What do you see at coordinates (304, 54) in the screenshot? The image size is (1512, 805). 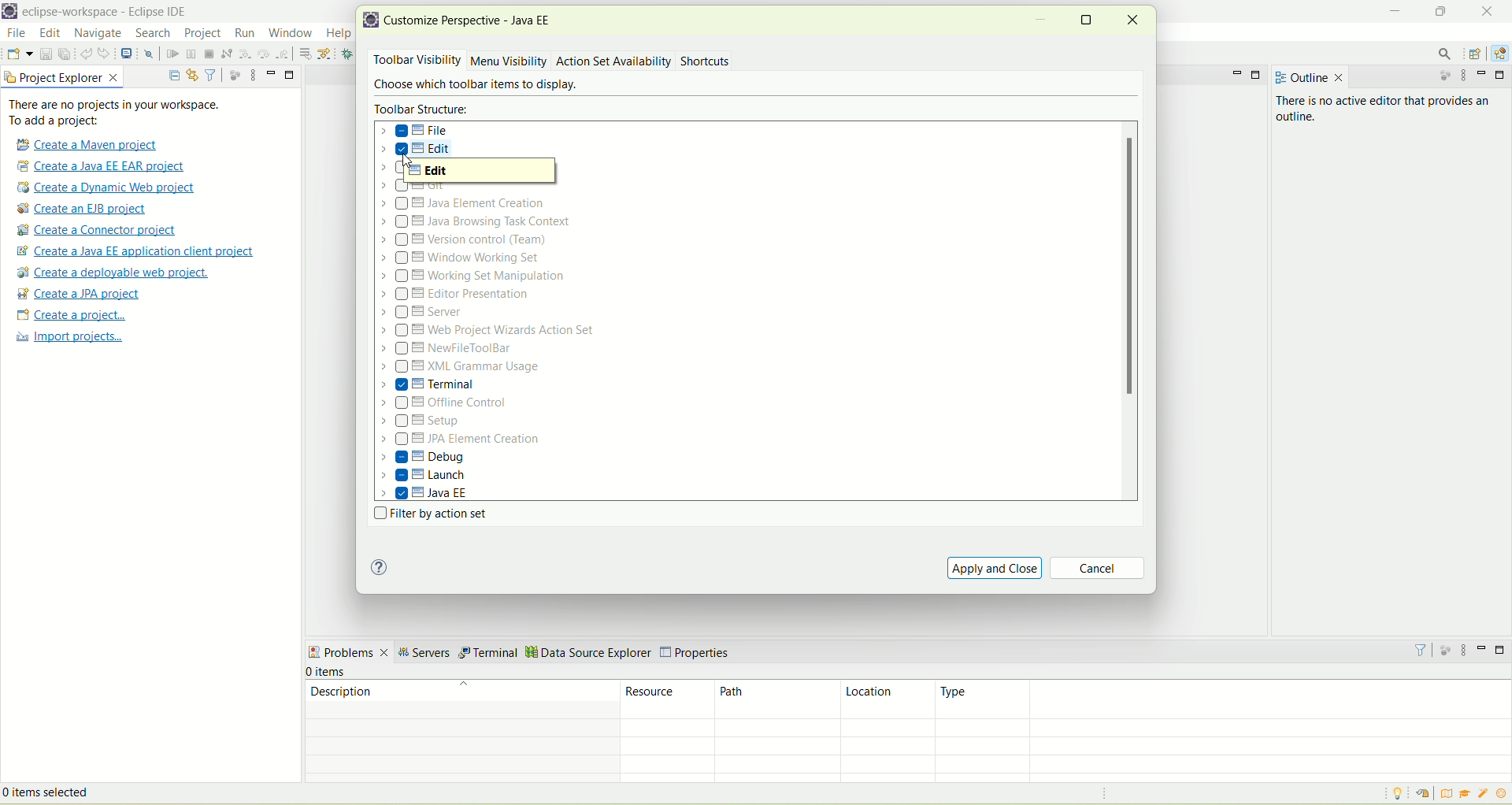 I see `drop to frame` at bounding box center [304, 54].